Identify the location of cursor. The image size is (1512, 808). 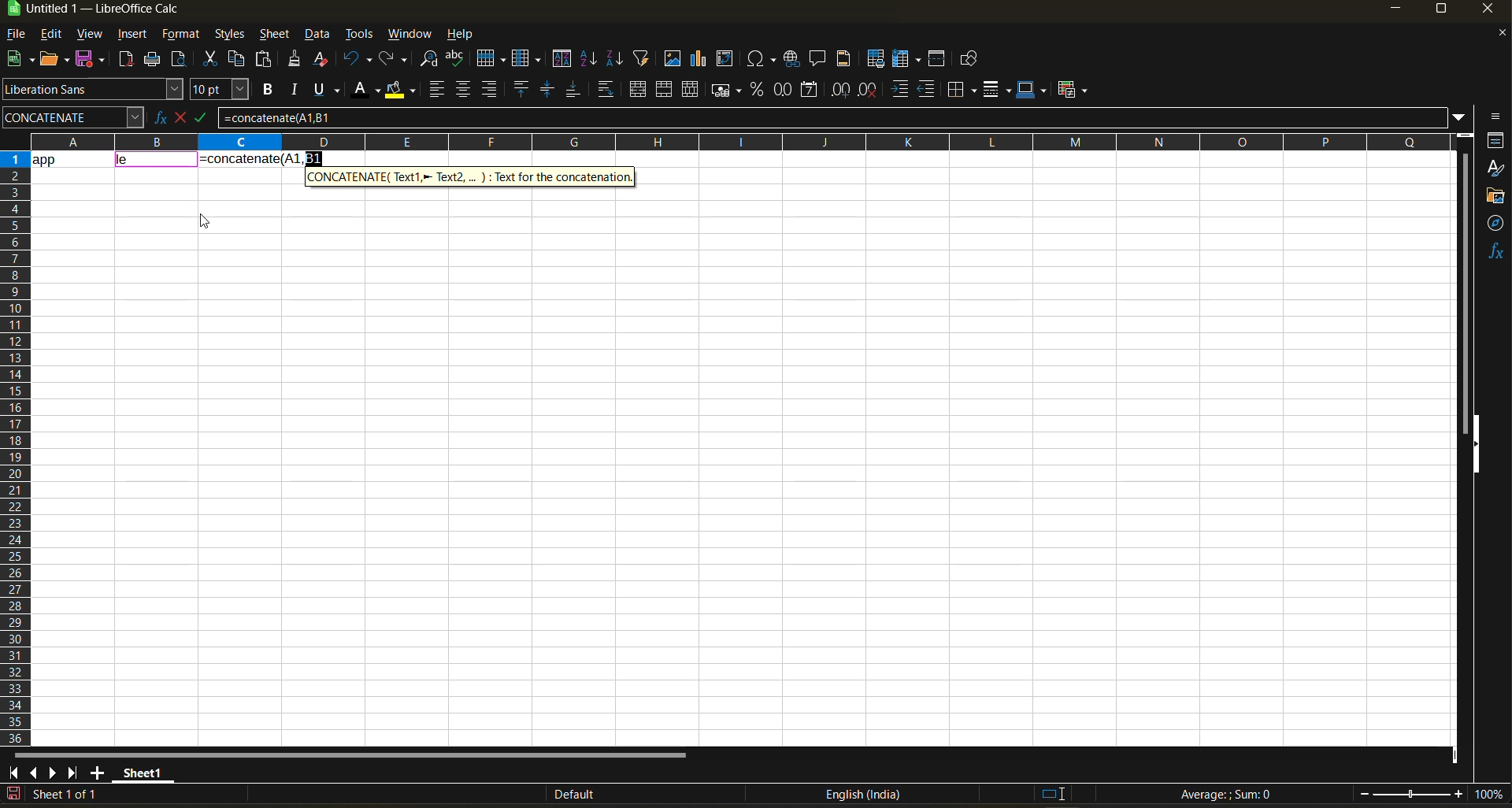
(206, 224).